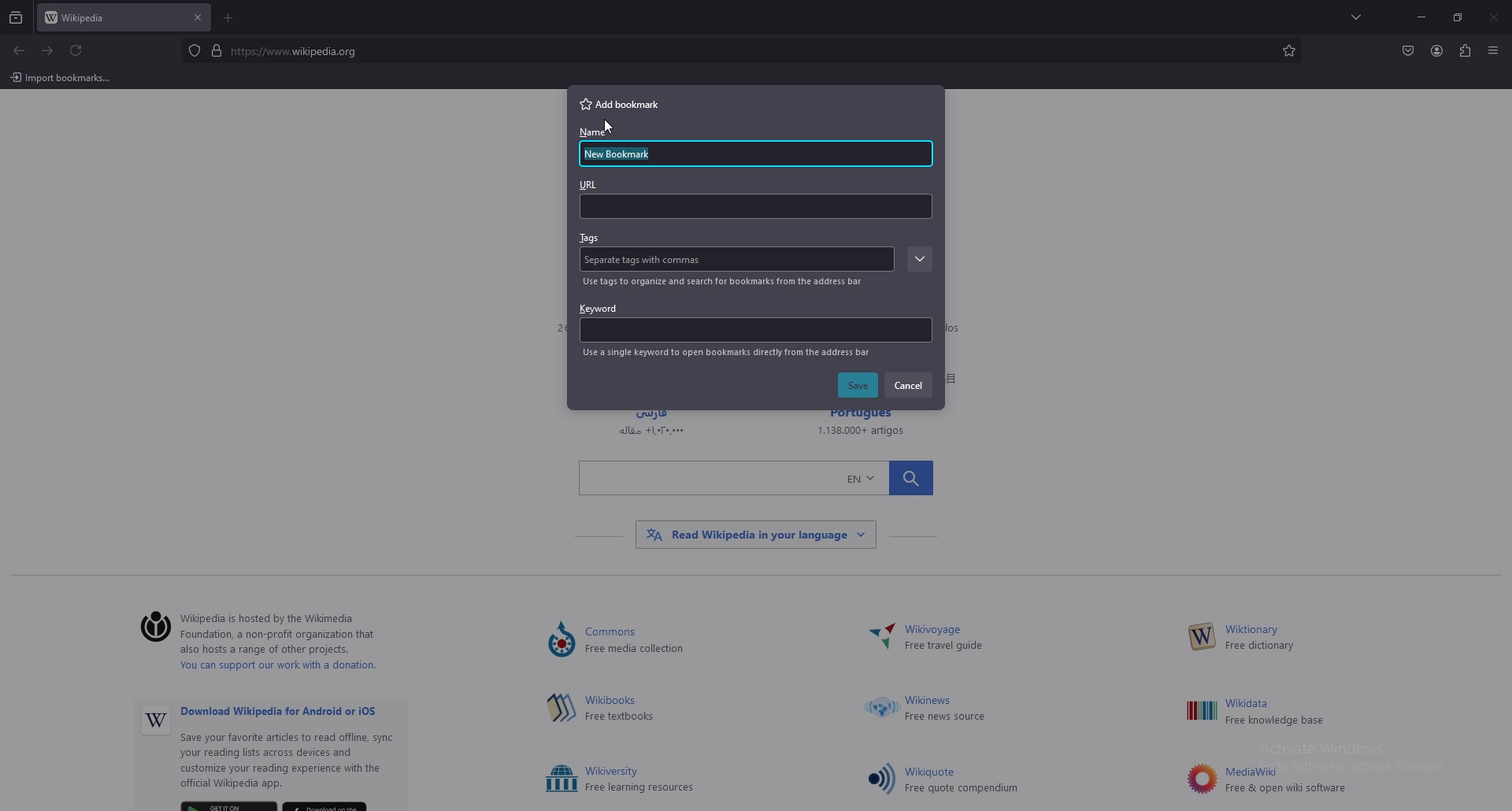 The height and width of the screenshot is (811, 1512). What do you see at coordinates (1203, 637) in the screenshot?
I see `` at bounding box center [1203, 637].